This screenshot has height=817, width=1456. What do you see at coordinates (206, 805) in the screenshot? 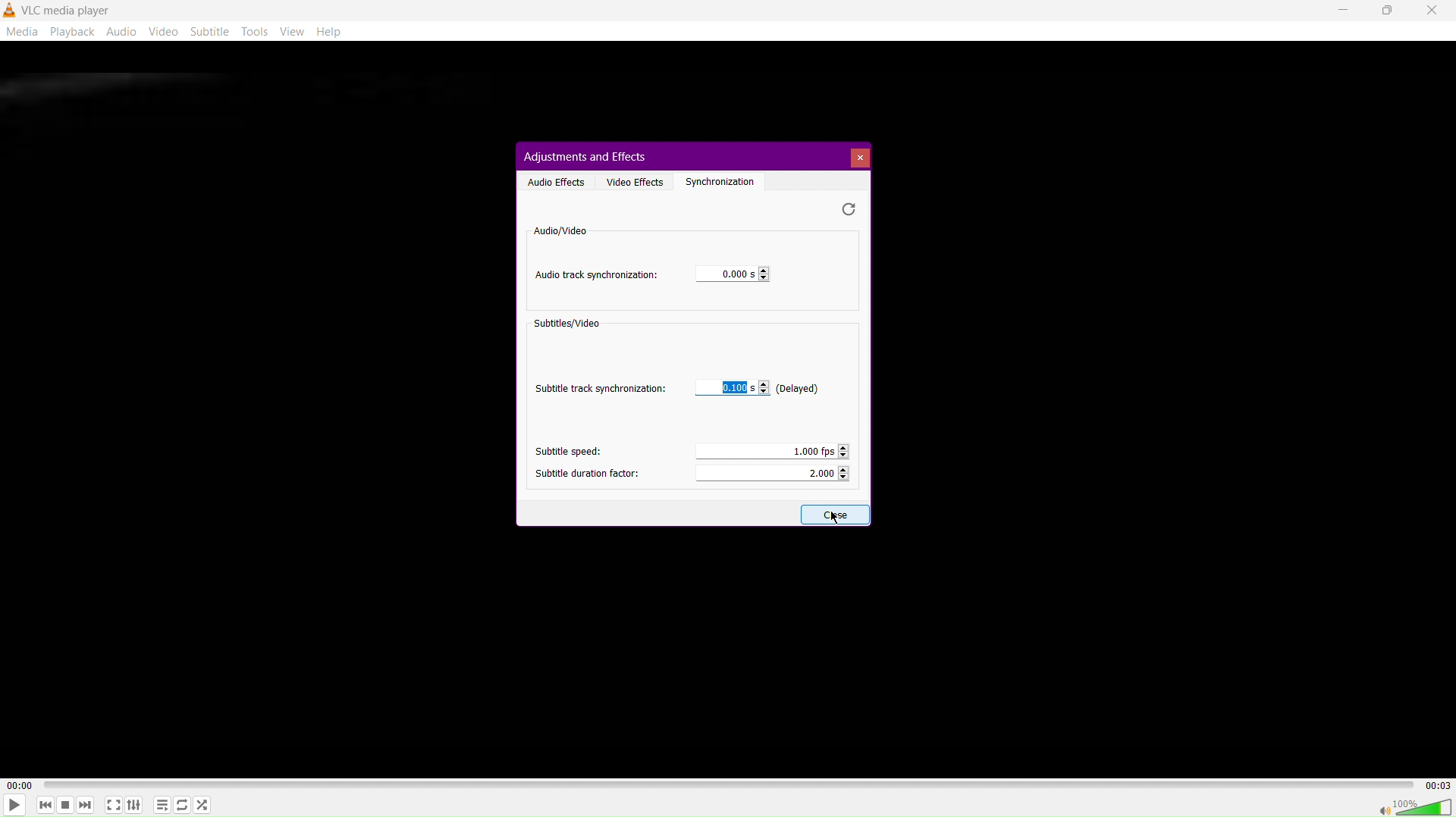
I see `Random` at bounding box center [206, 805].